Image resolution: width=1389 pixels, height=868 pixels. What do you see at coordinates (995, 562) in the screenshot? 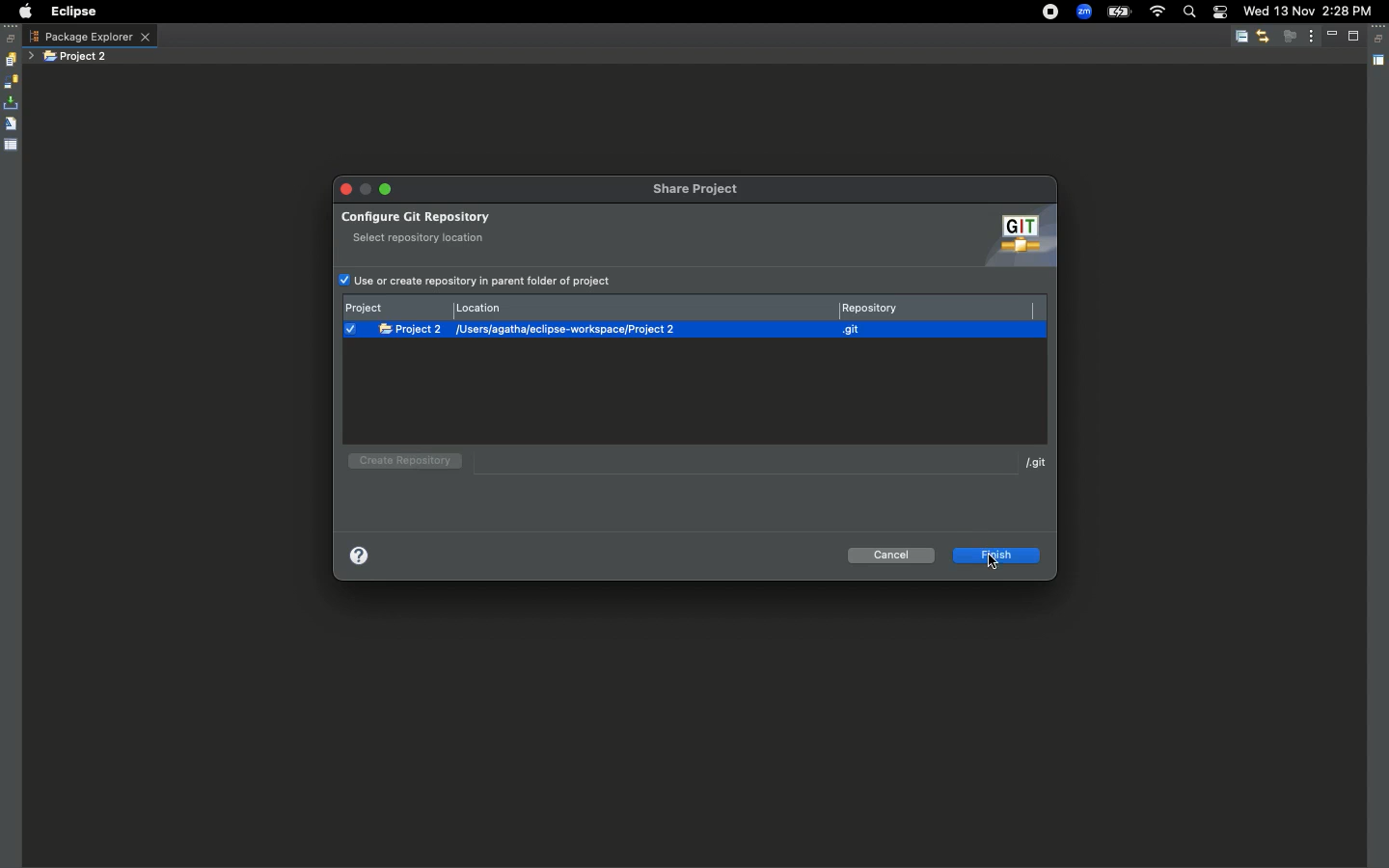
I see `Cursor` at bounding box center [995, 562].